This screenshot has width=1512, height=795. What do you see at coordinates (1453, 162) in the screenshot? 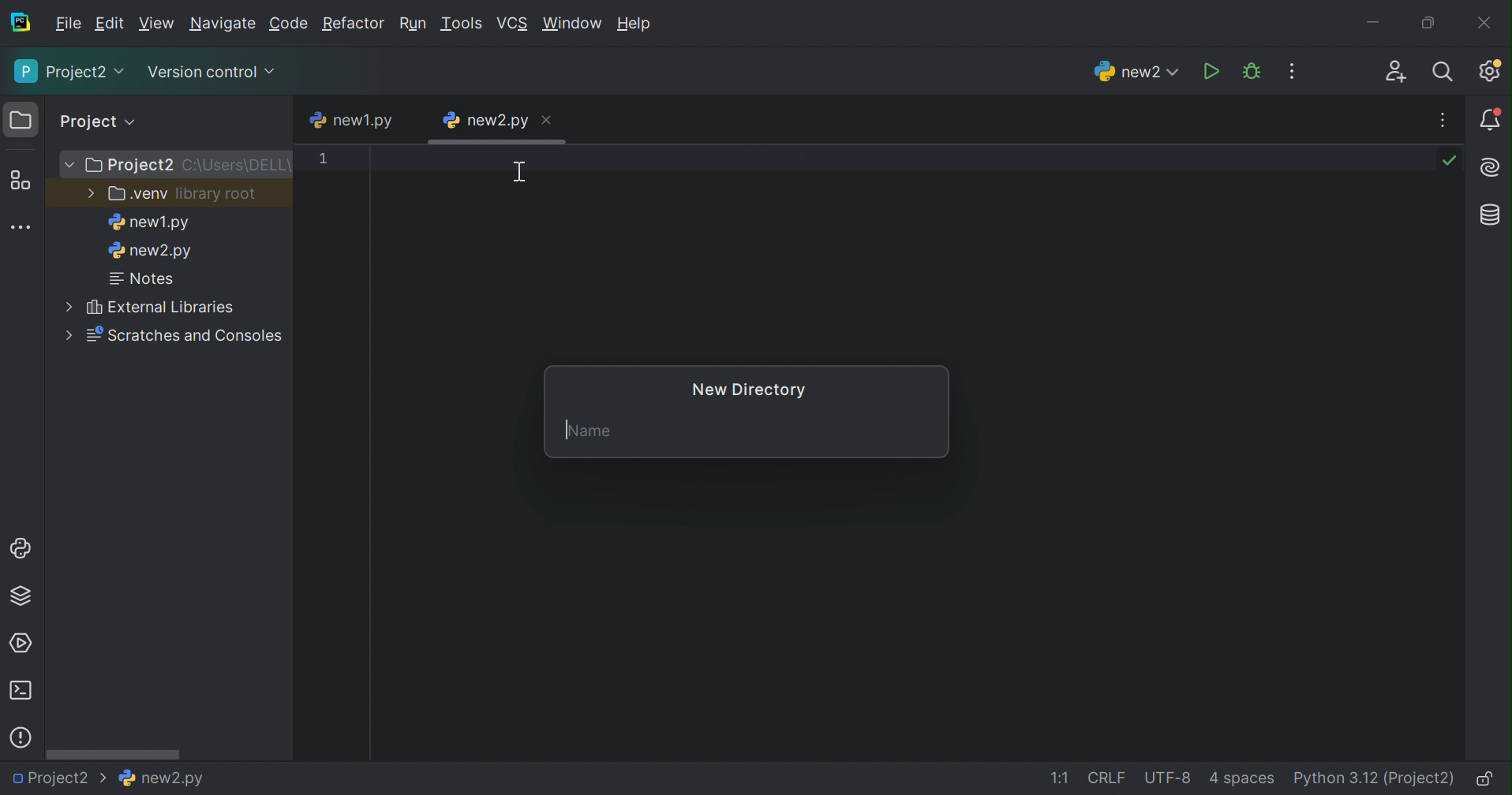
I see `No problems found` at bounding box center [1453, 162].